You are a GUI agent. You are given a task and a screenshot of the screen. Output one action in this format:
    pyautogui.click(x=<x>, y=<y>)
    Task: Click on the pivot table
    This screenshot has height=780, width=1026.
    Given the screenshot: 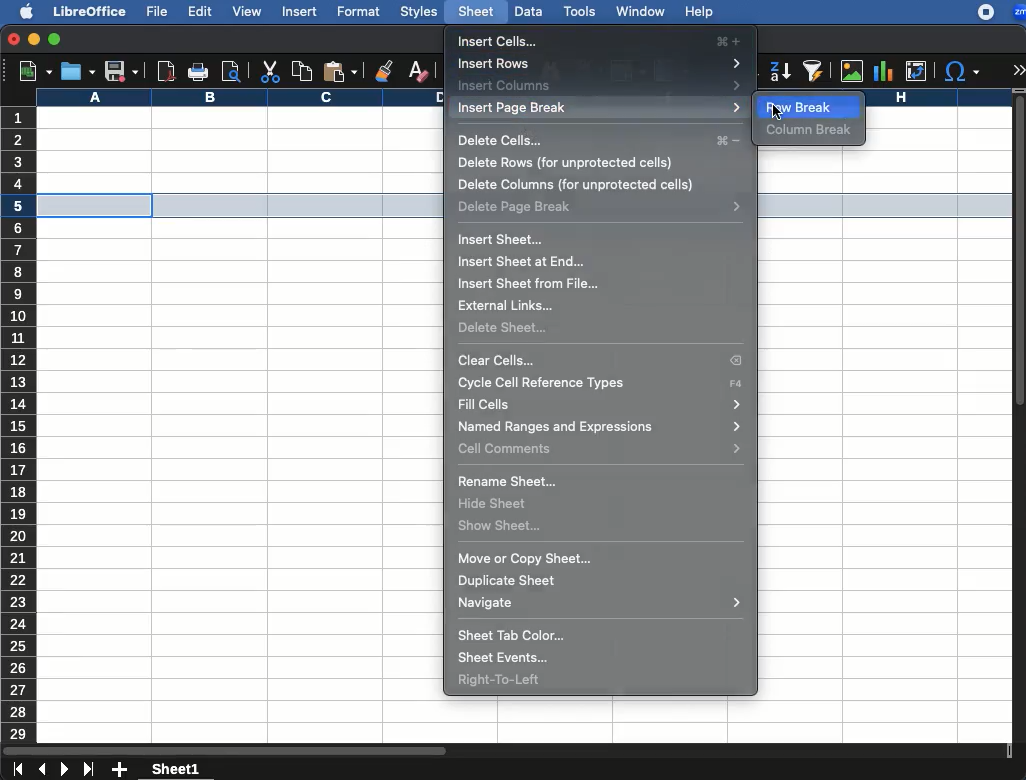 What is the action you would take?
    pyautogui.click(x=914, y=70)
    